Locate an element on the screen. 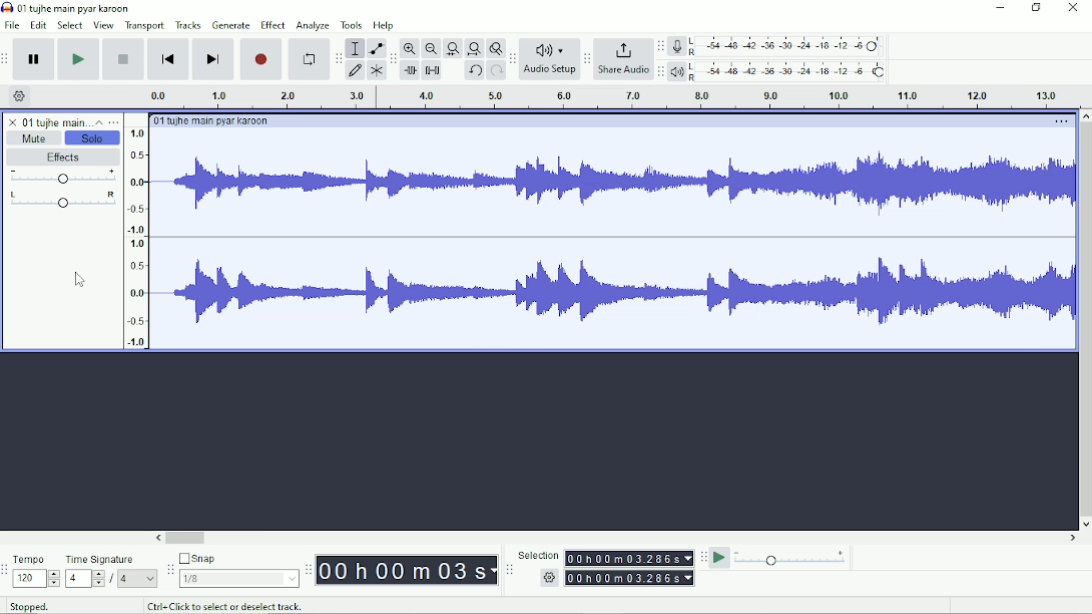  Audio title is located at coordinates (216, 119).